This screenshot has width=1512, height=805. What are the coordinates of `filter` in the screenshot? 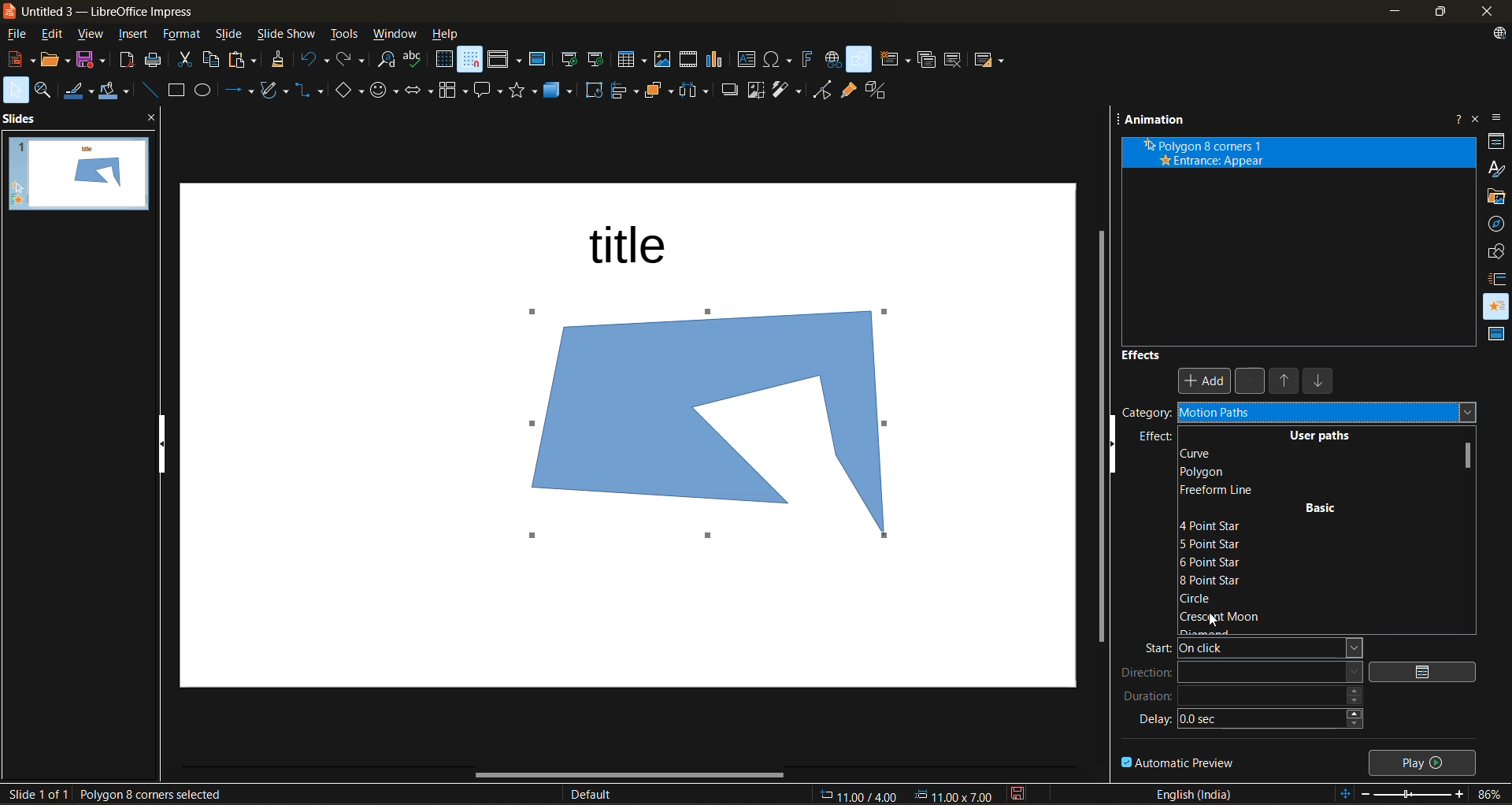 It's located at (790, 91).